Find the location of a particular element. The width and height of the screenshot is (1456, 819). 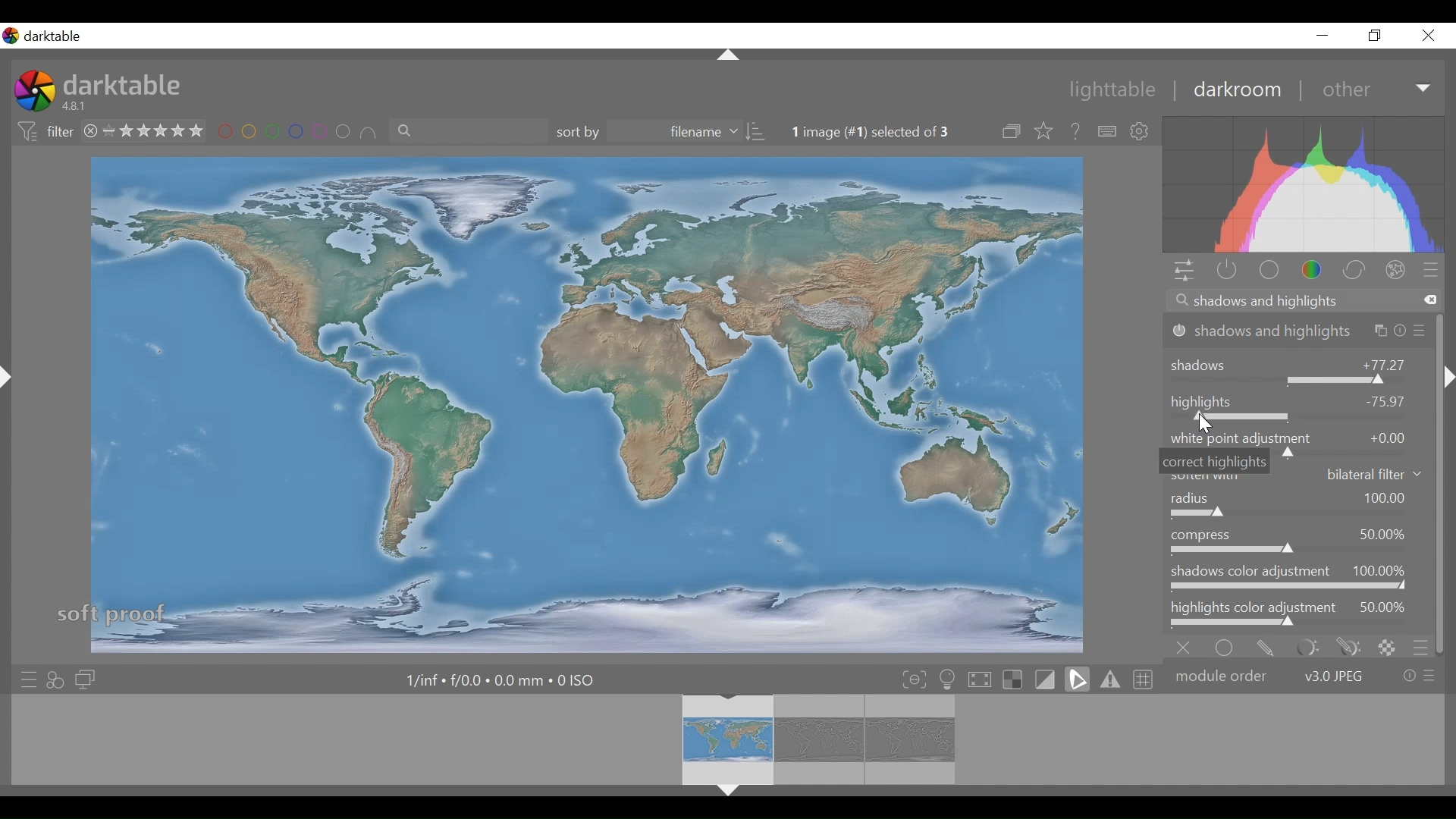

toggle display indication is located at coordinates (1047, 679).